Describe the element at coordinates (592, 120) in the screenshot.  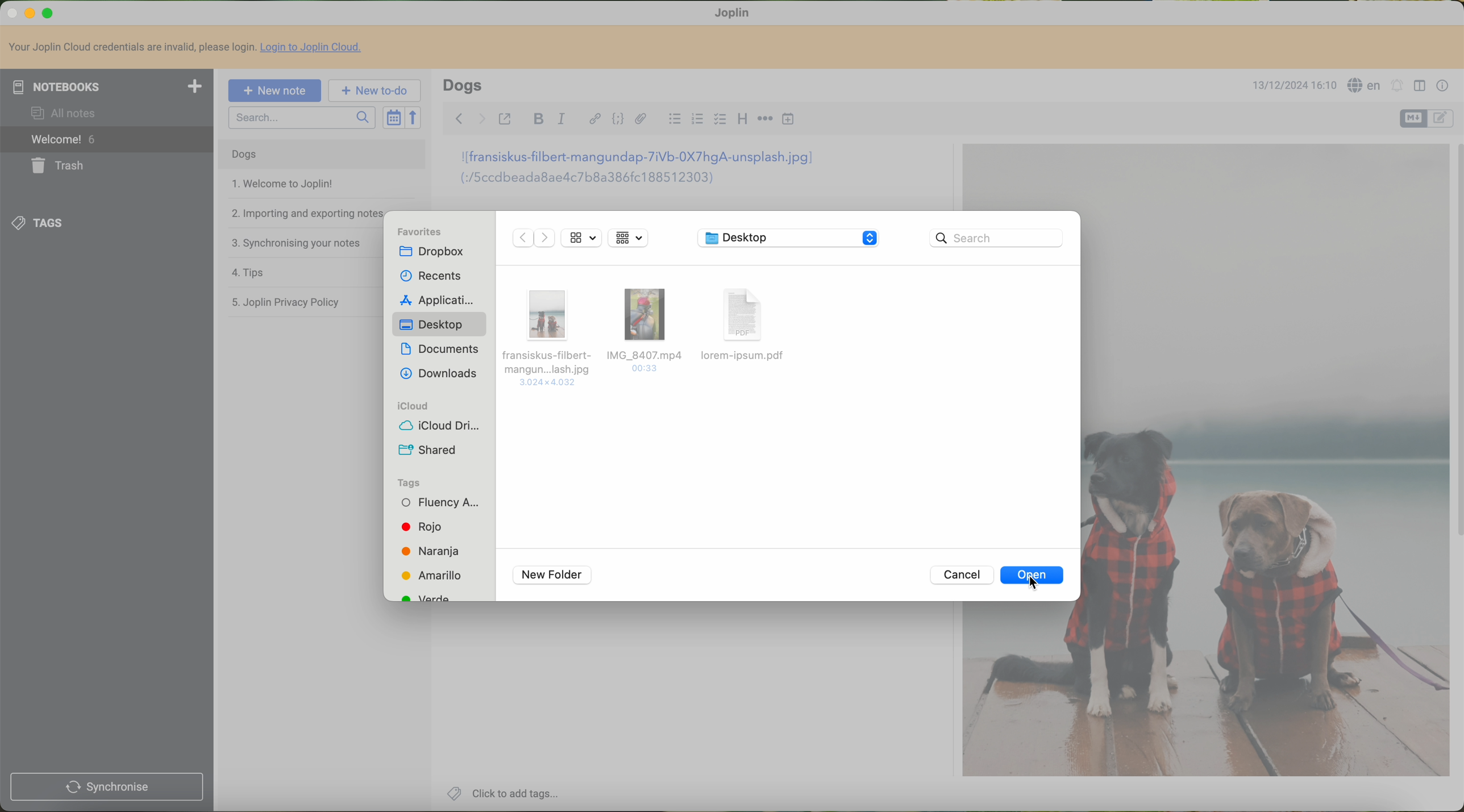
I see `hyperlink` at that location.